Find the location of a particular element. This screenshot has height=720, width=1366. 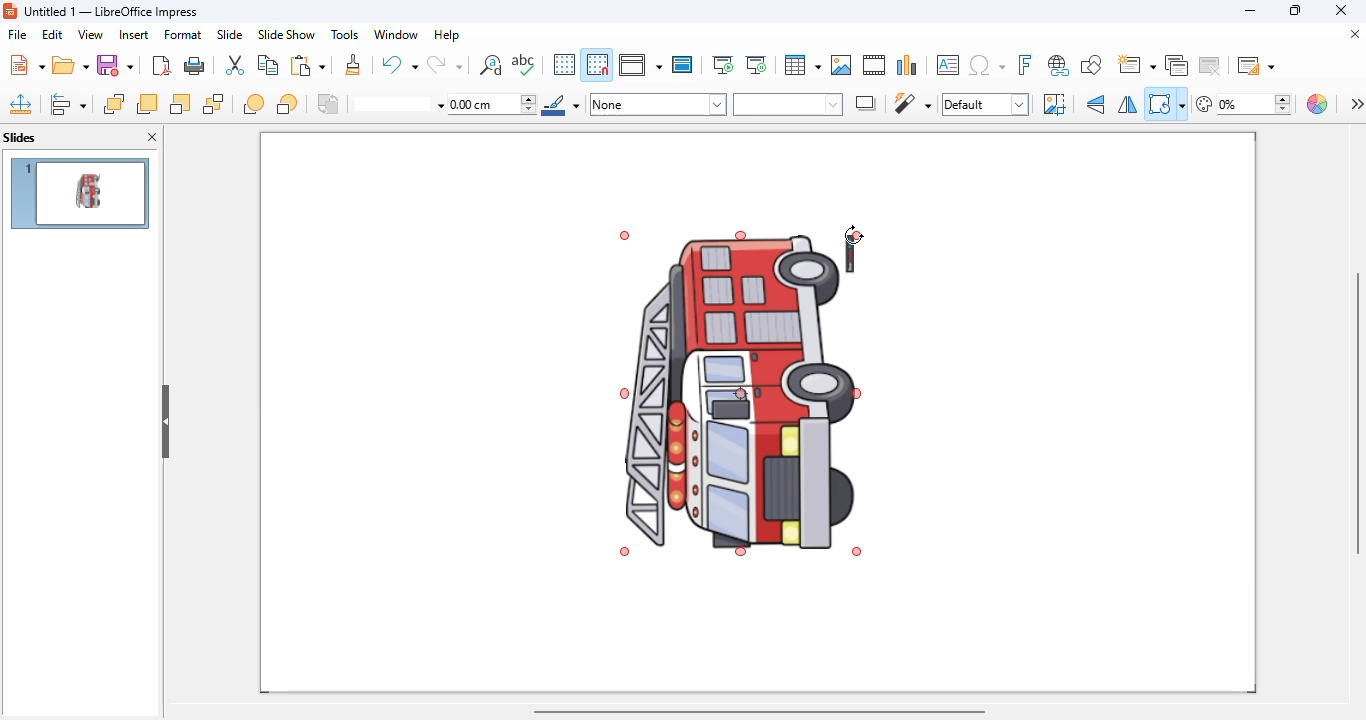

image mode is located at coordinates (985, 105).